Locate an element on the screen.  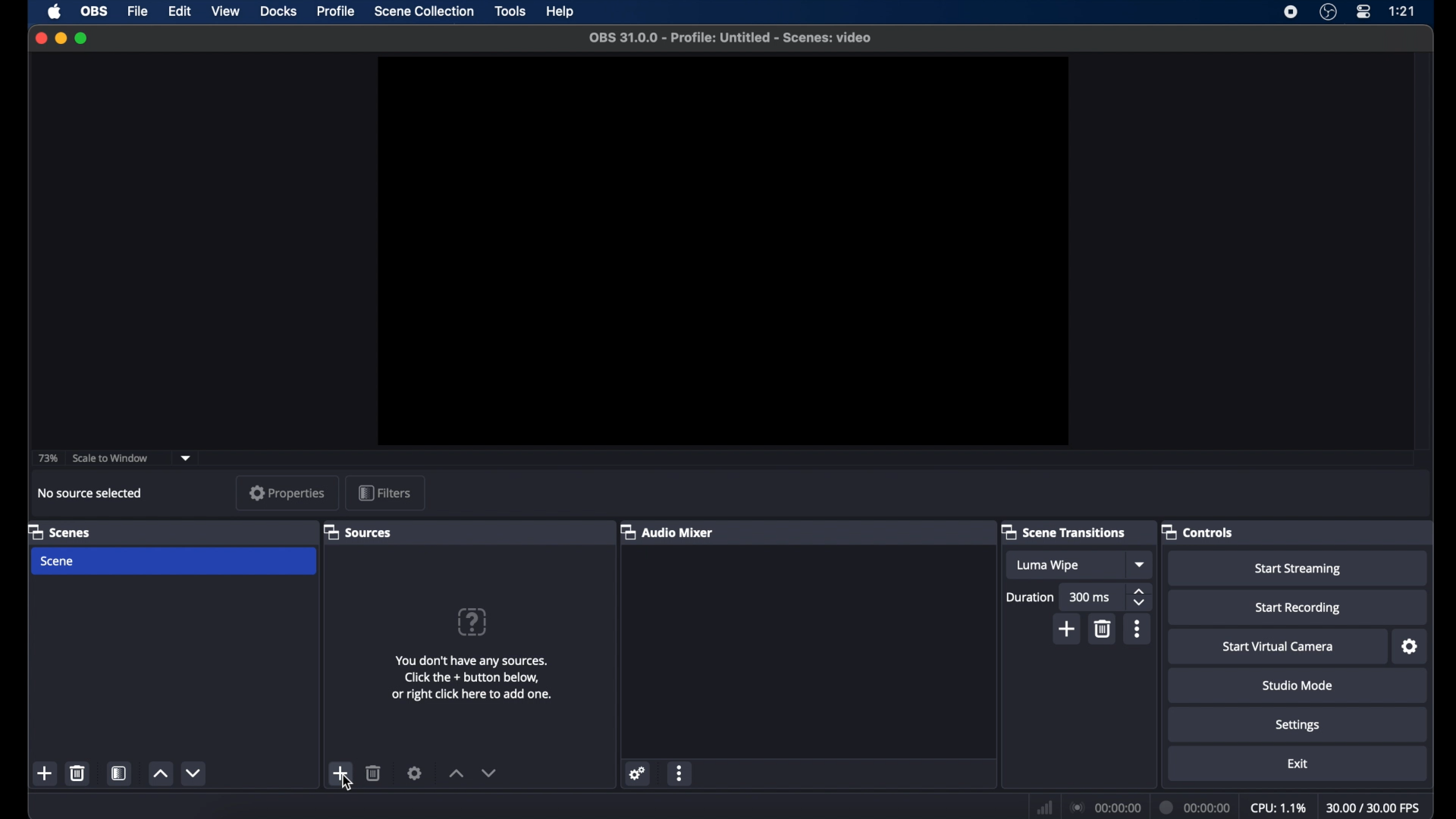
scene filters is located at coordinates (119, 775).